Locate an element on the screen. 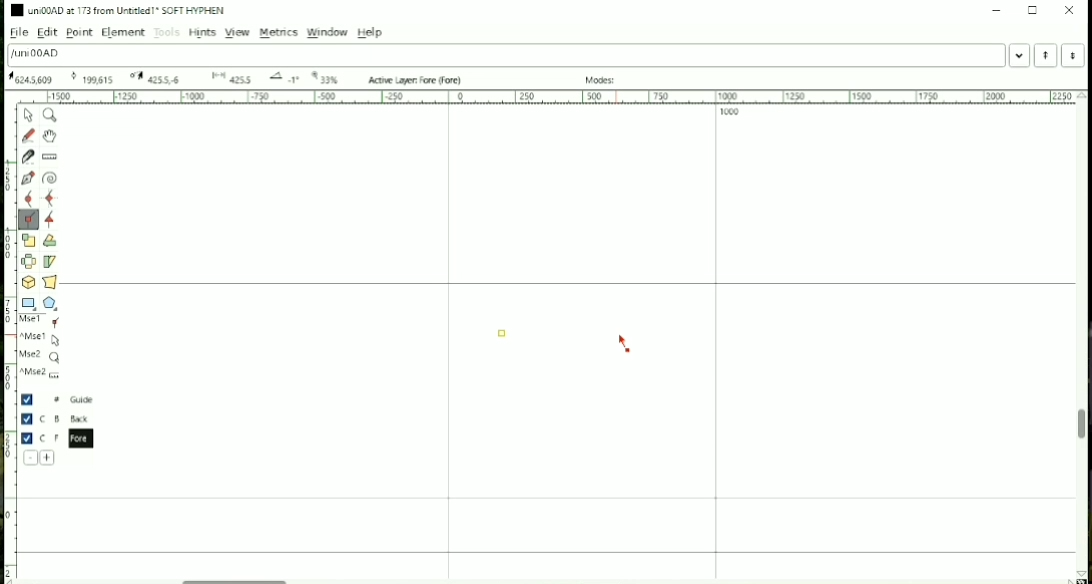 The image size is (1092, 584). Mse2 is located at coordinates (41, 357).